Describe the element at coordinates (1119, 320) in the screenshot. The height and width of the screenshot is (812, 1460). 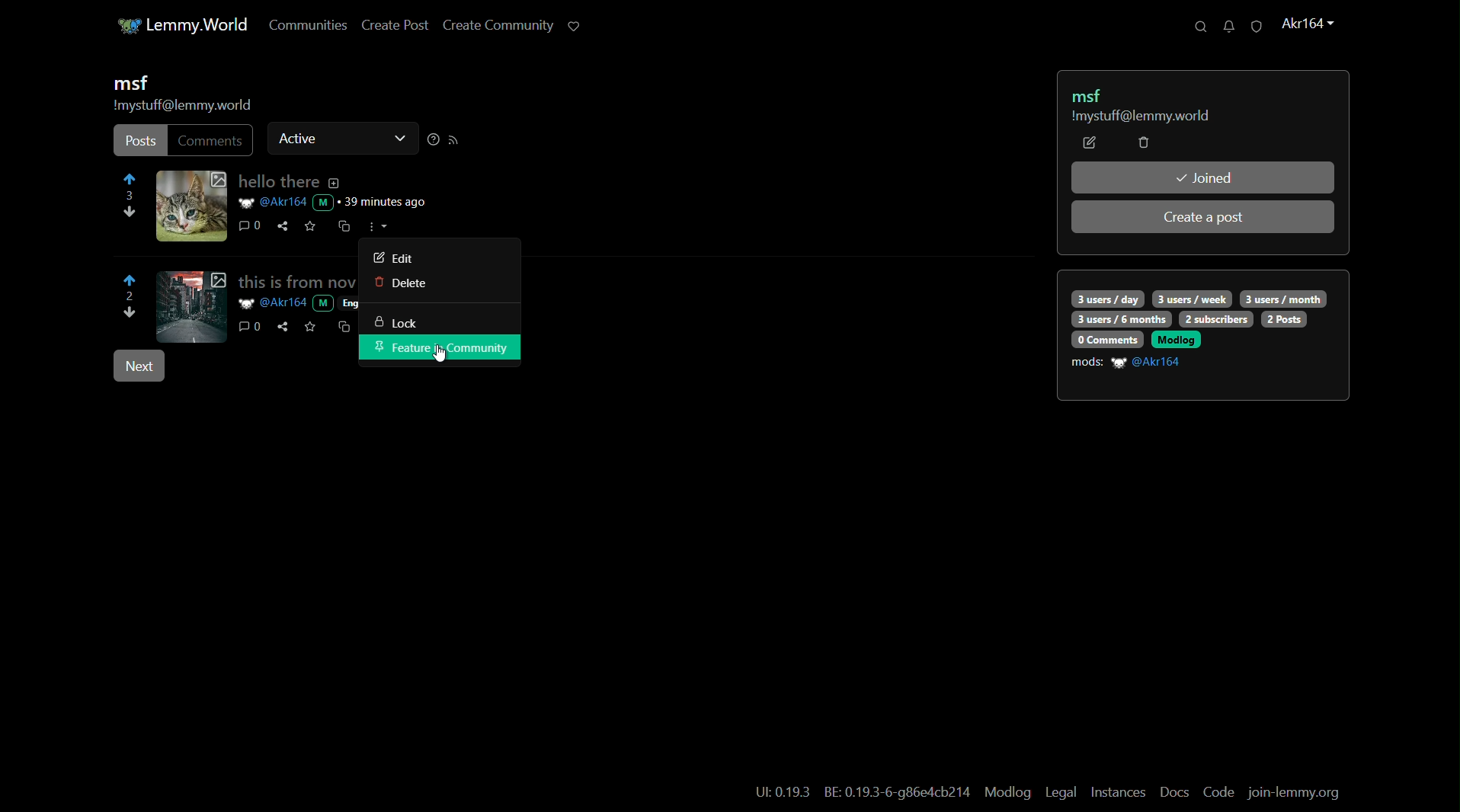
I see `3 users per 6 month` at that location.